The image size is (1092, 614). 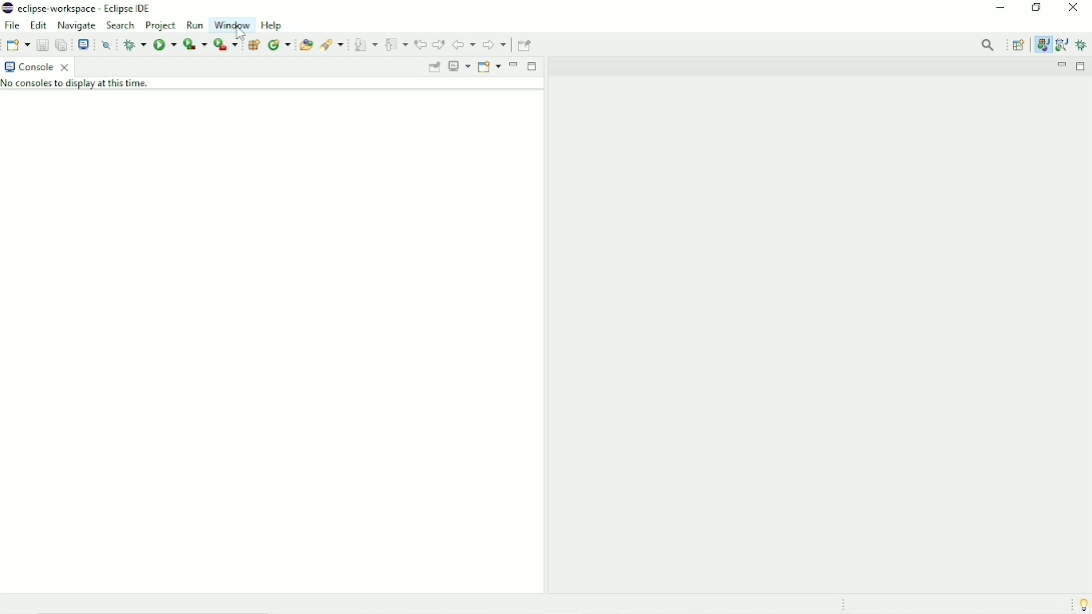 I want to click on Java Browsing, so click(x=1061, y=45).